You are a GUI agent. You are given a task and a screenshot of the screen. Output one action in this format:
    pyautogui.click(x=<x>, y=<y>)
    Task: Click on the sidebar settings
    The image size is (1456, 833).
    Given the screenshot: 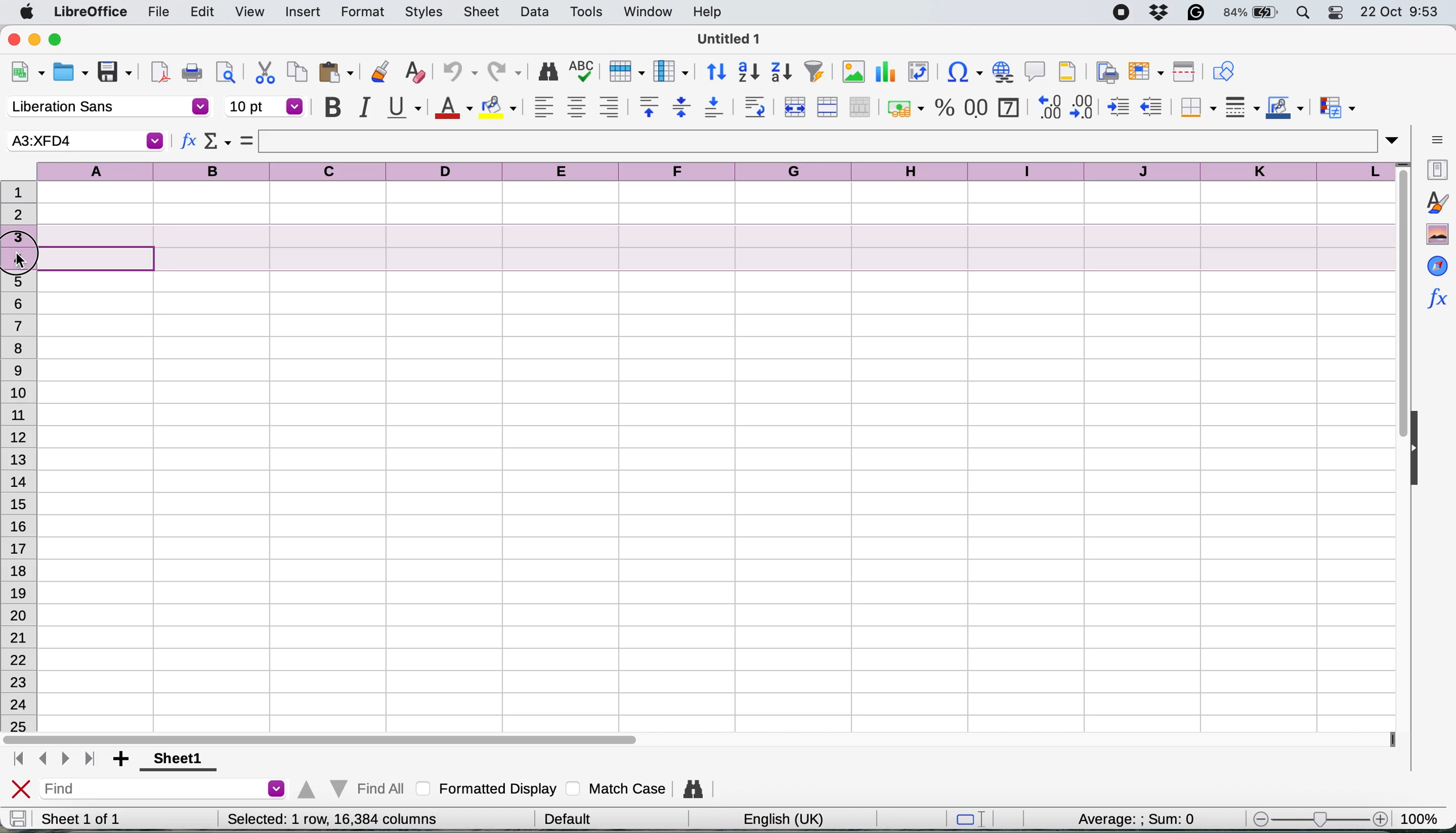 What is the action you would take?
    pyautogui.click(x=1437, y=138)
    